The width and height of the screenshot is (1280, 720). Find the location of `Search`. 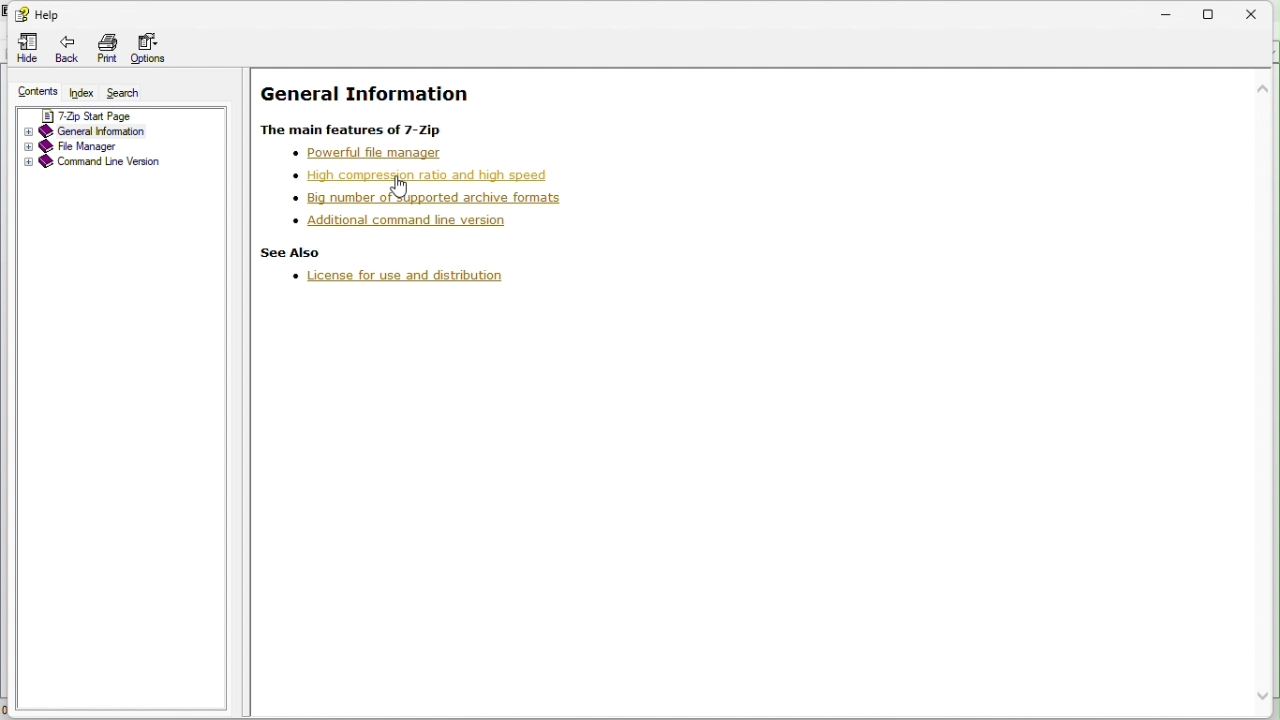

Search is located at coordinates (130, 93).